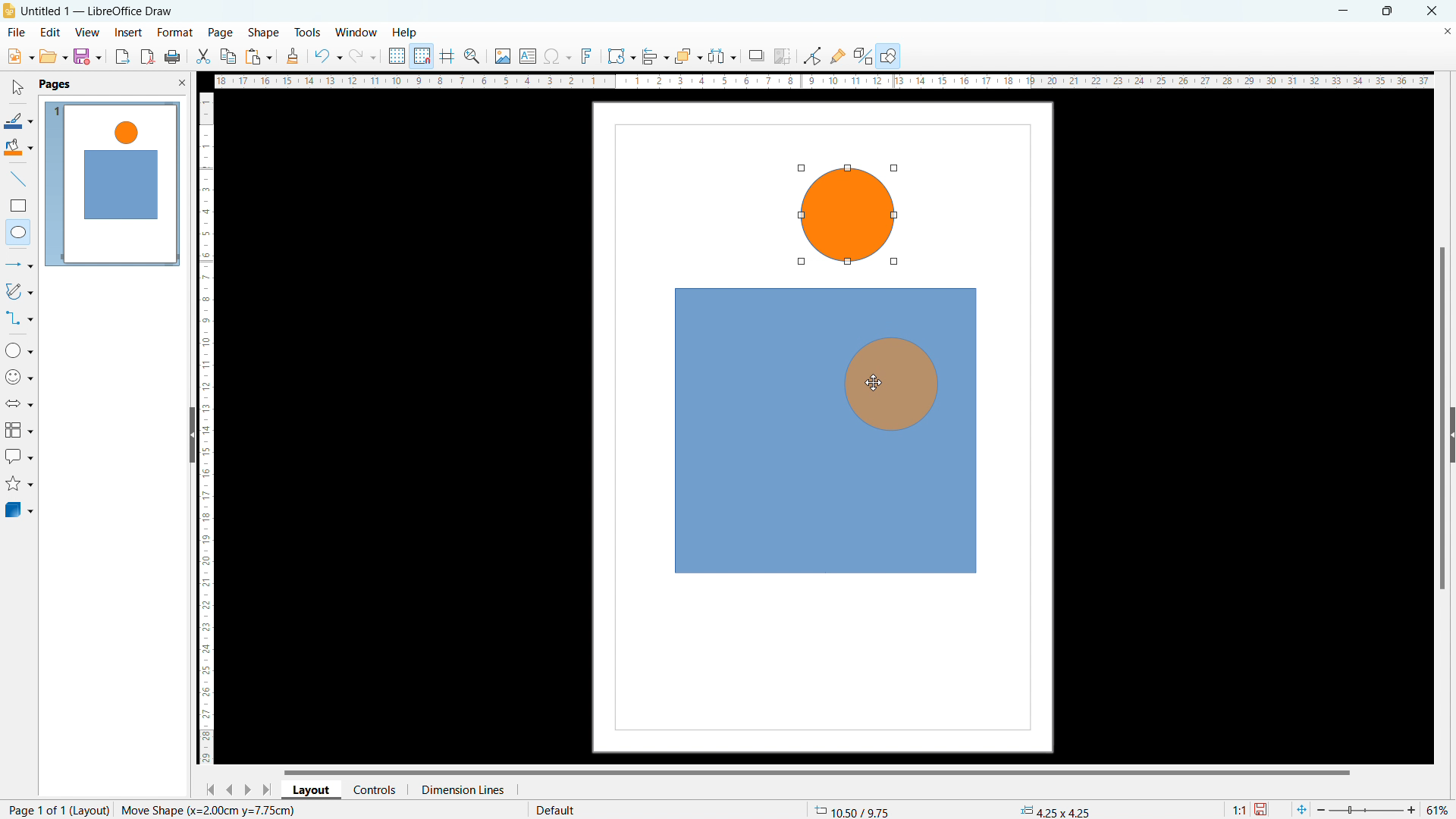  I want to click on callout shapes, so click(20, 457).